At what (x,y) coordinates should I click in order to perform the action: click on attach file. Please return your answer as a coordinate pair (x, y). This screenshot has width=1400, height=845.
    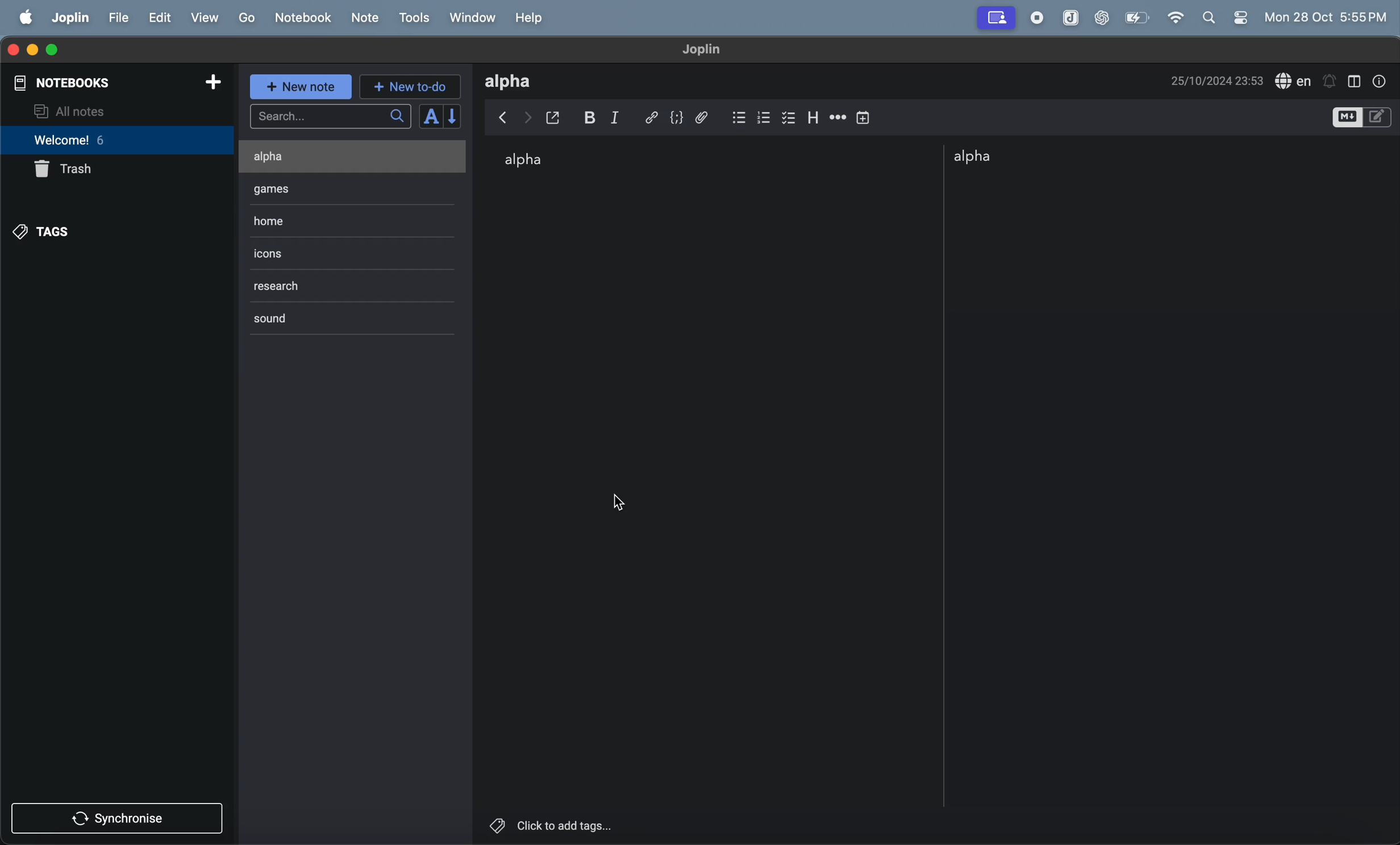
    Looking at the image, I should click on (707, 116).